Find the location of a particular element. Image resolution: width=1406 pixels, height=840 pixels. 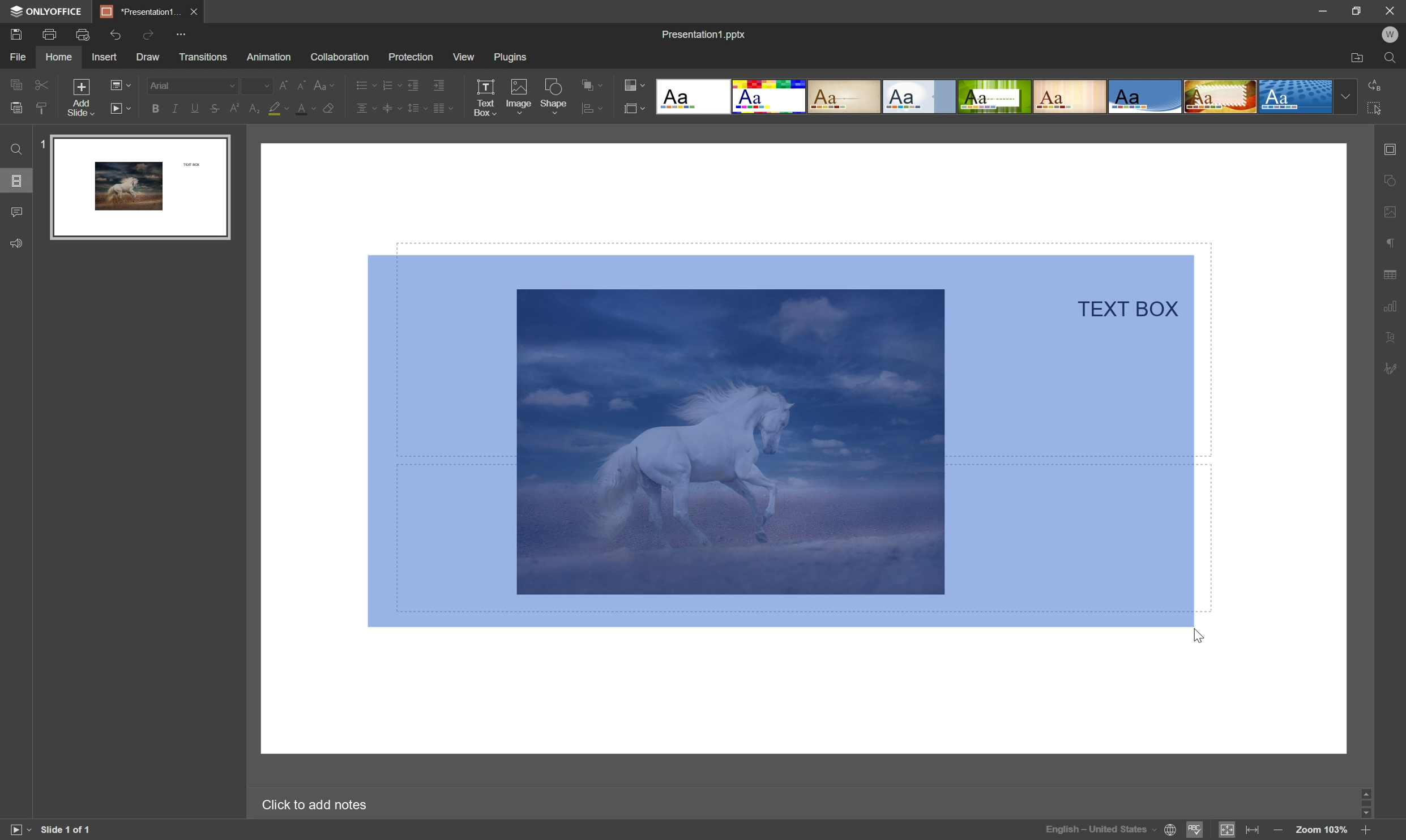

customize quick access toolbar is located at coordinates (188, 33).